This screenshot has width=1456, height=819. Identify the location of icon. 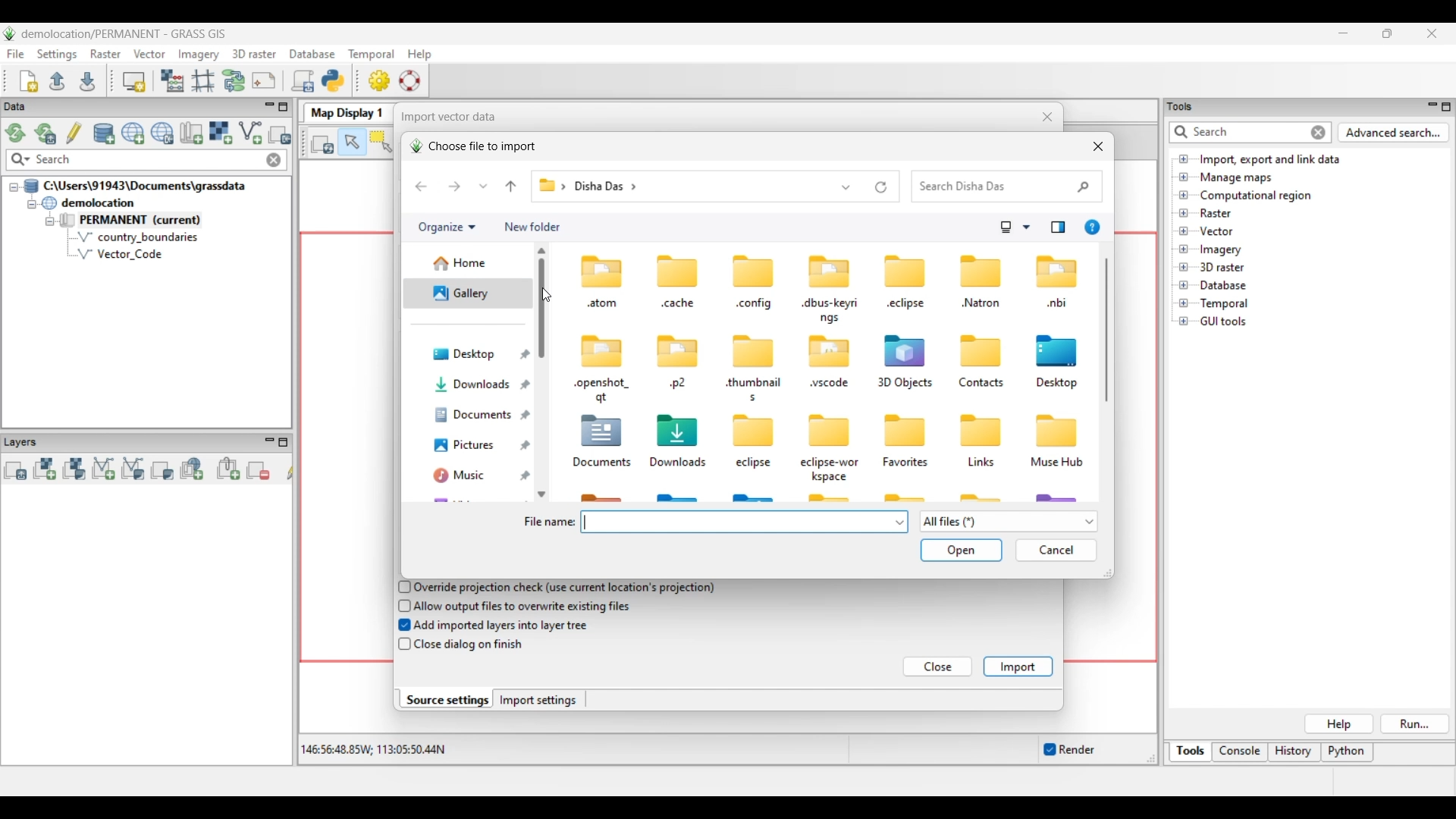
(751, 352).